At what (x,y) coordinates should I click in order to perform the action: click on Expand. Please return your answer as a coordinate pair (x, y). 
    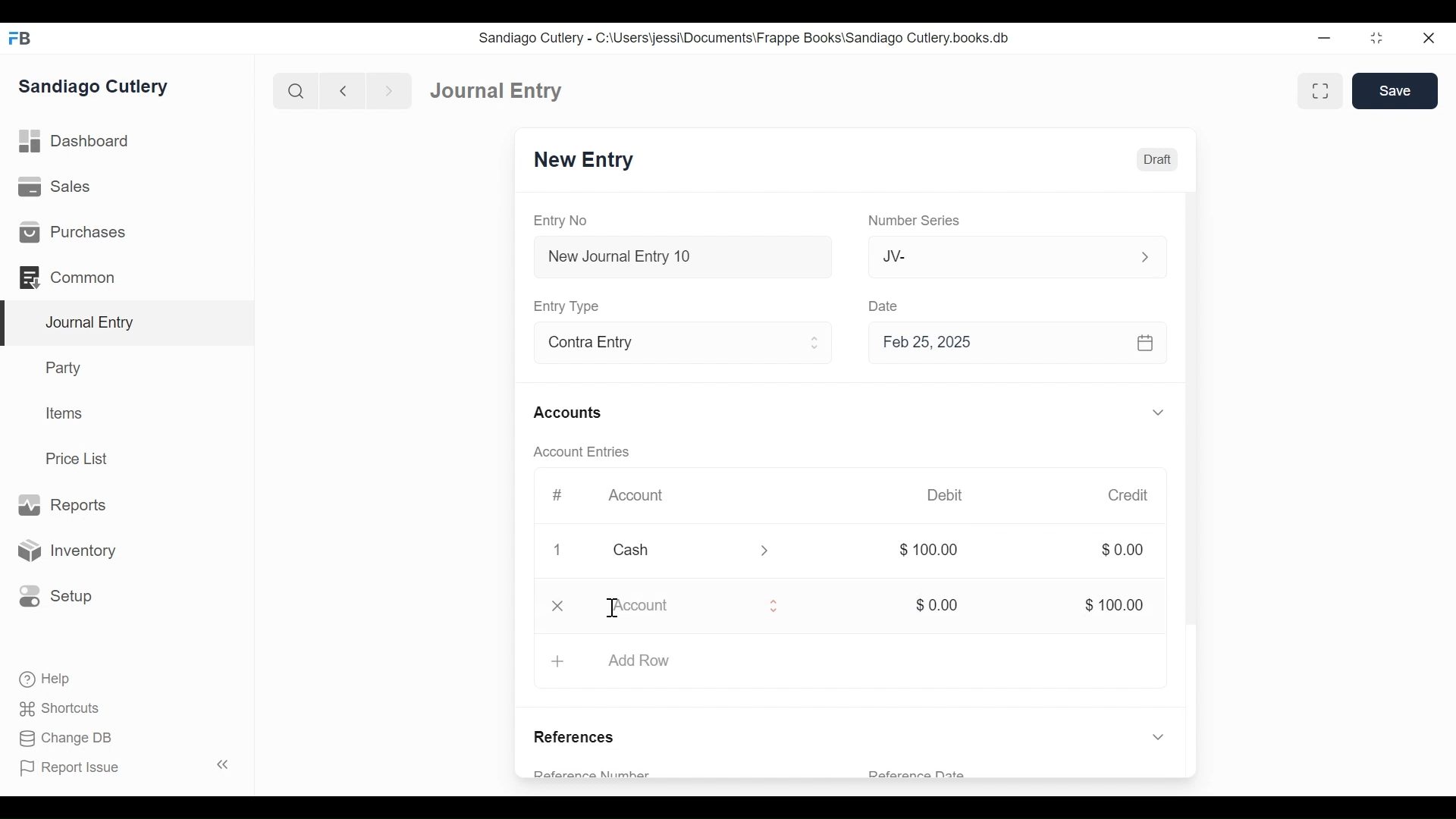
    Looking at the image, I should click on (1144, 256).